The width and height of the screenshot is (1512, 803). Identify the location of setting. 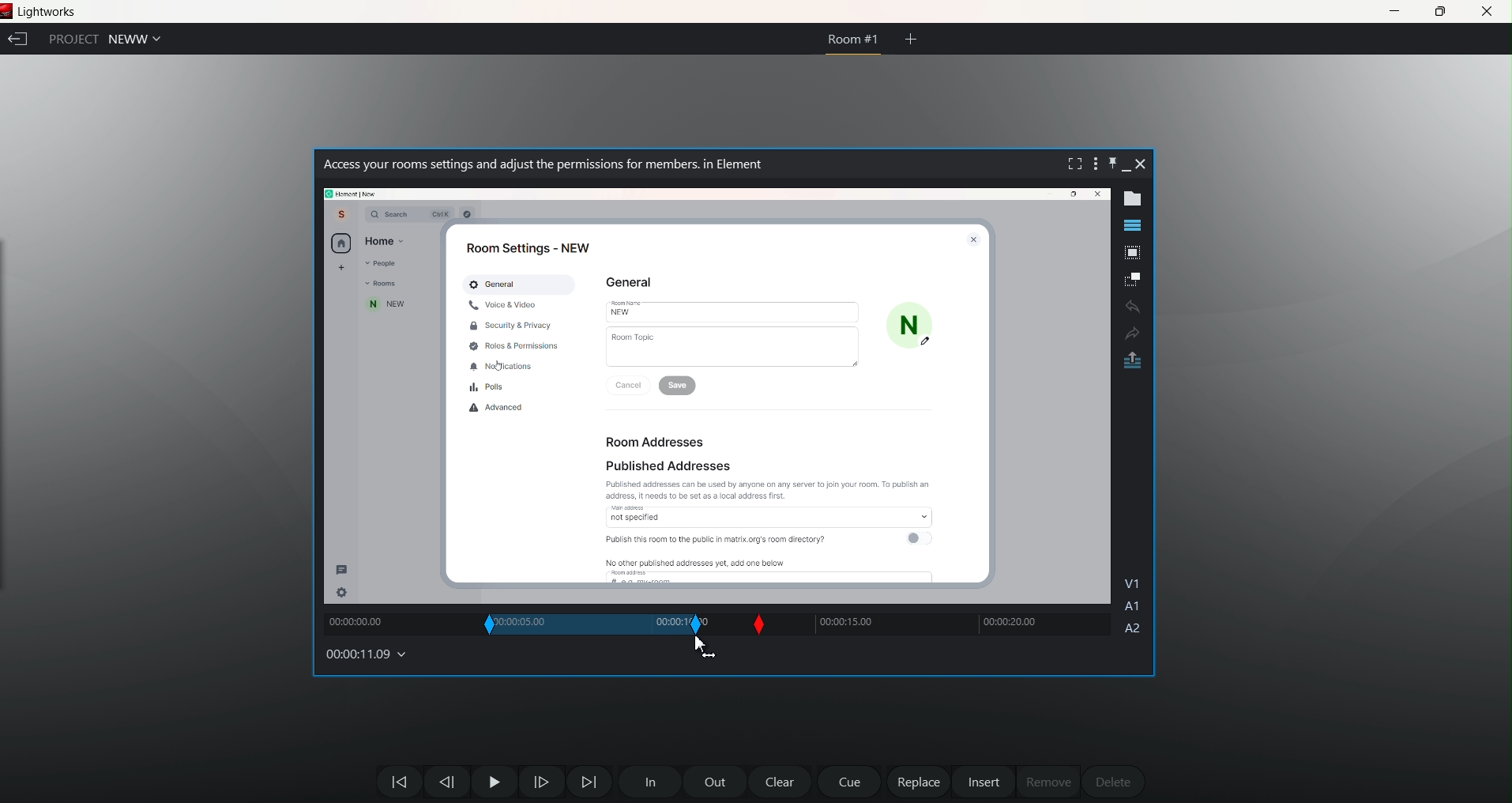
(341, 591).